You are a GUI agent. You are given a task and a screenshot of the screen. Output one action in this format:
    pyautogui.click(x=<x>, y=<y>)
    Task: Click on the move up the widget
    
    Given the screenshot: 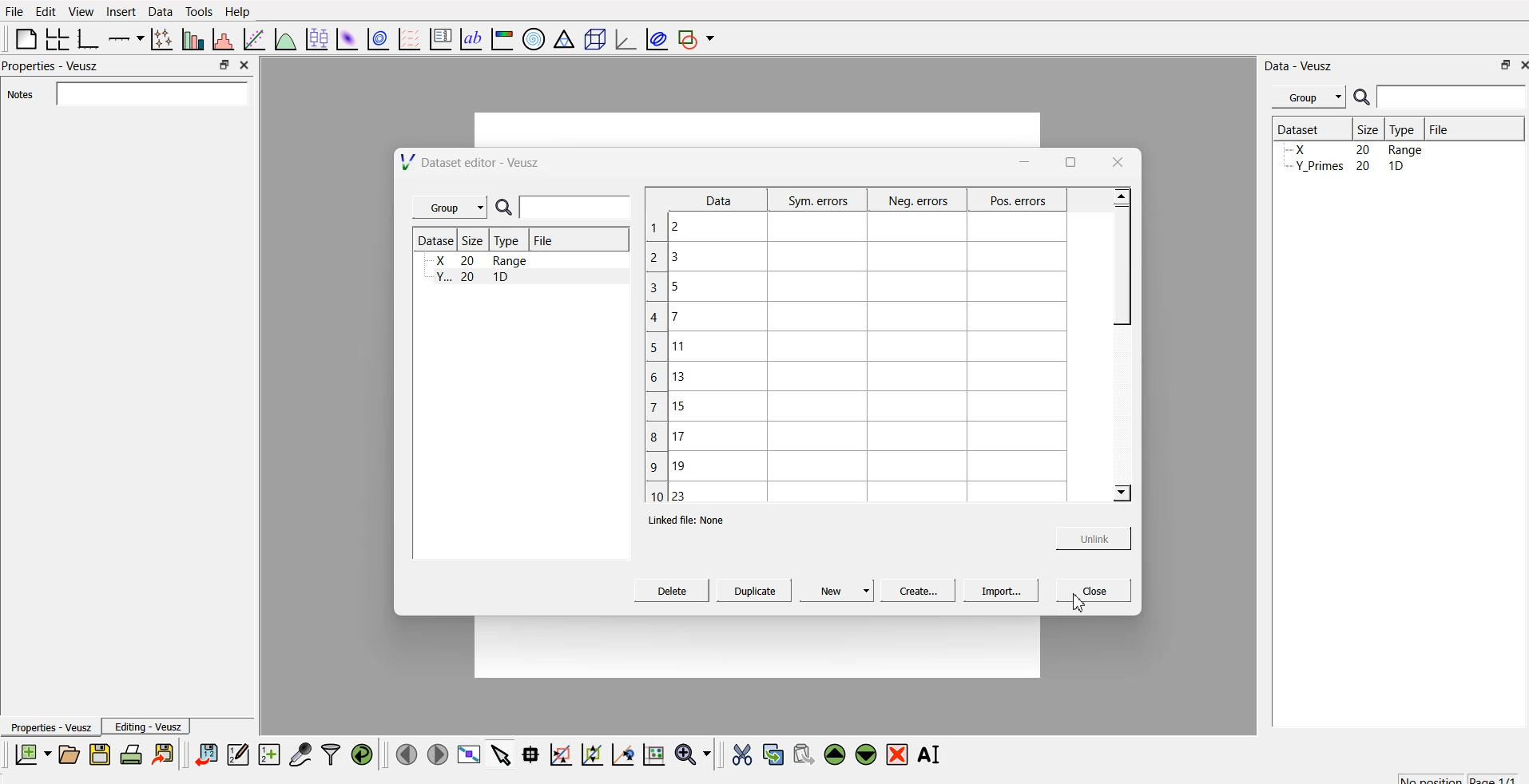 What is the action you would take?
    pyautogui.click(x=833, y=754)
    